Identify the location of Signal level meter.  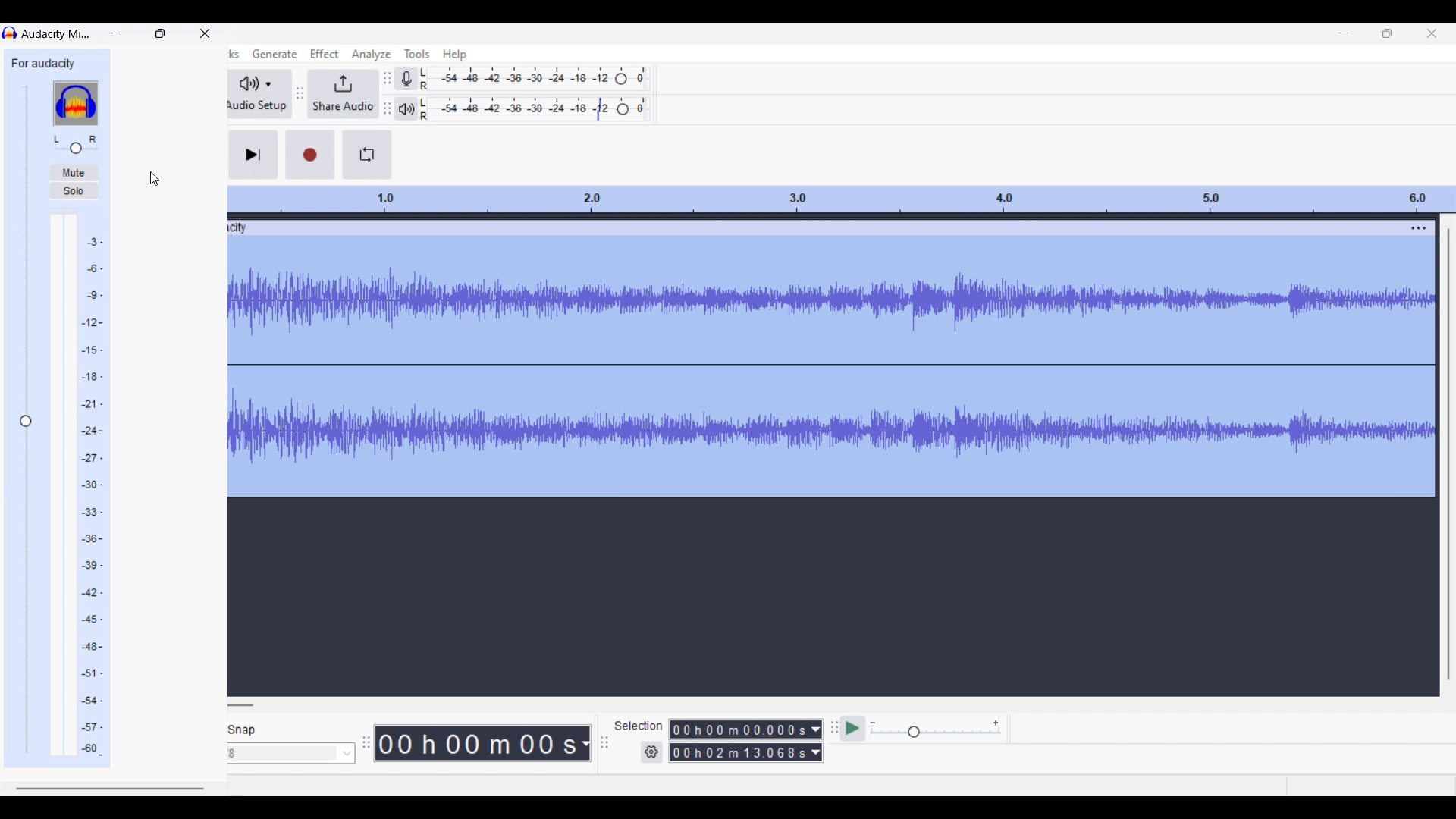
(77, 485).